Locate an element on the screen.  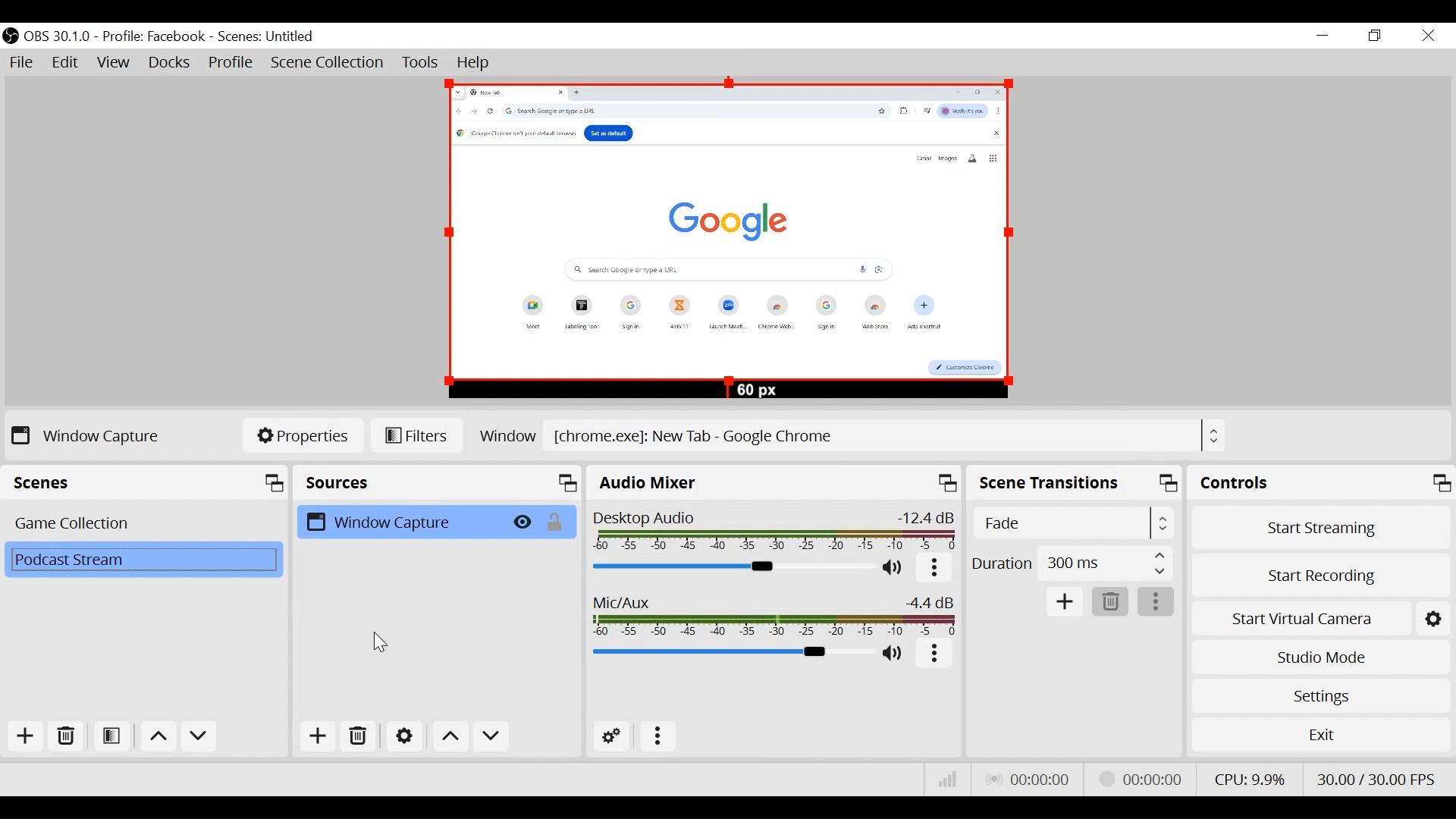
File is located at coordinates (24, 64).